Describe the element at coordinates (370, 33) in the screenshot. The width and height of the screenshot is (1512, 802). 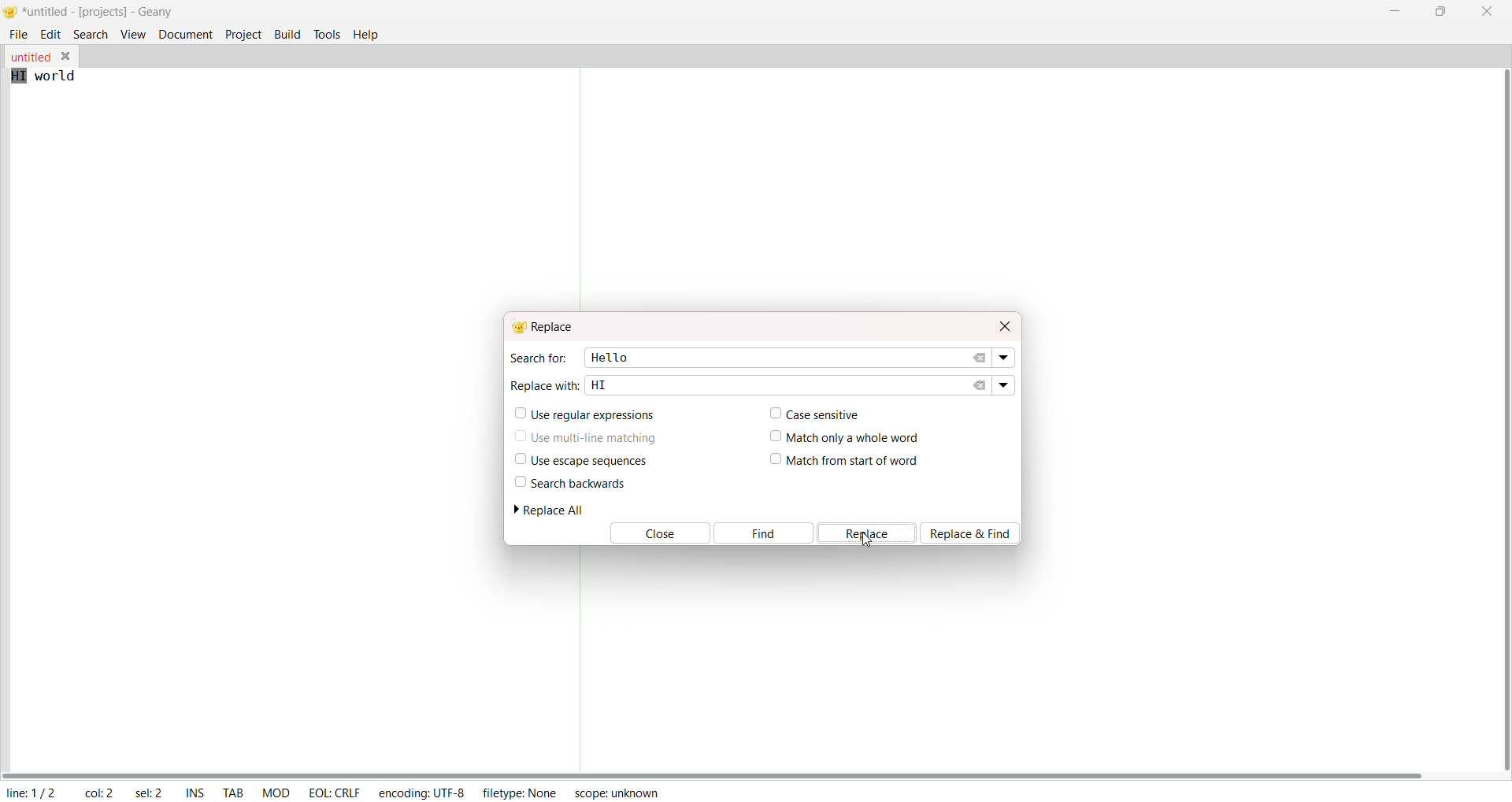
I see `help` at that location.